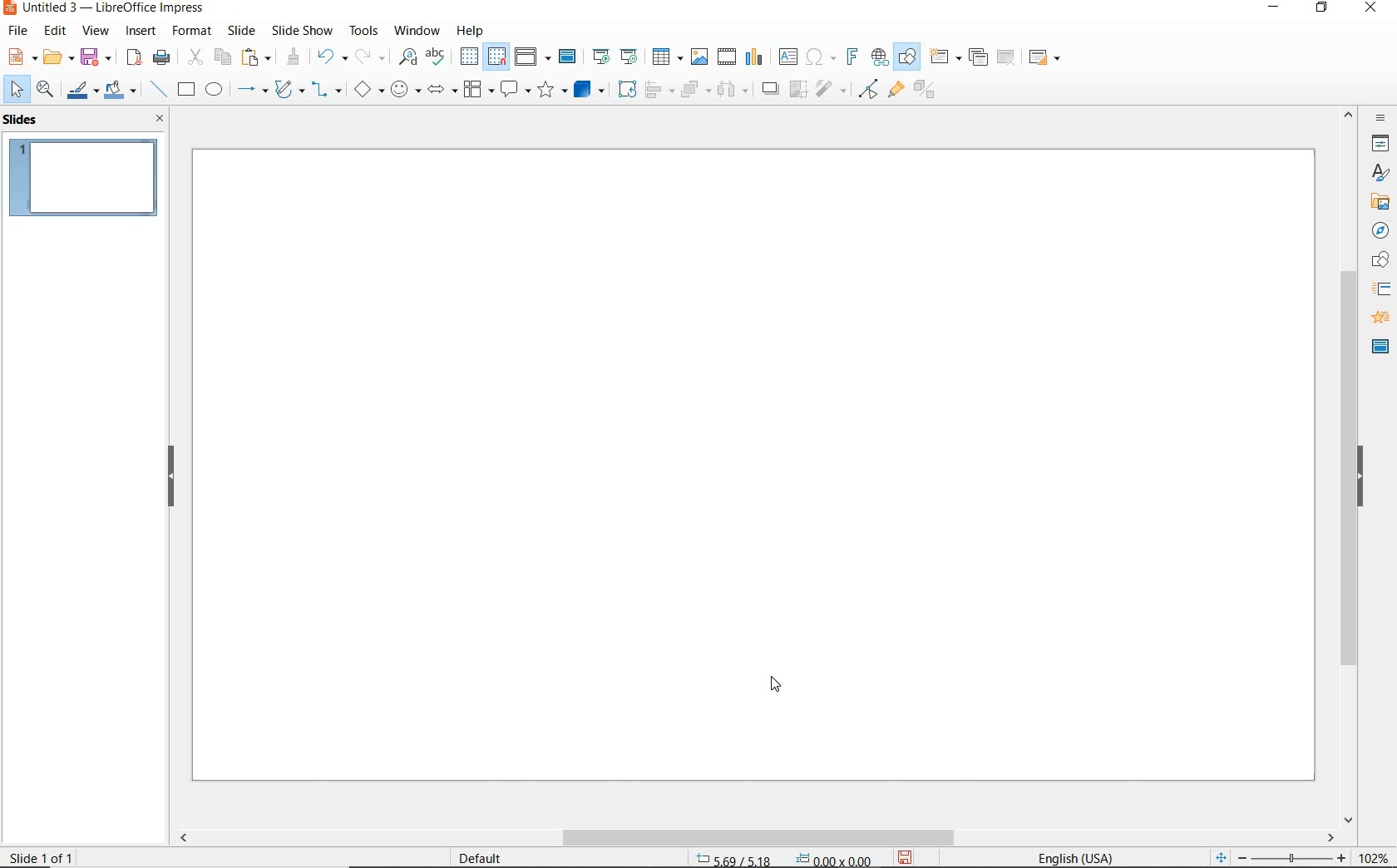  I want to click on SAVE, so click(98, 57).